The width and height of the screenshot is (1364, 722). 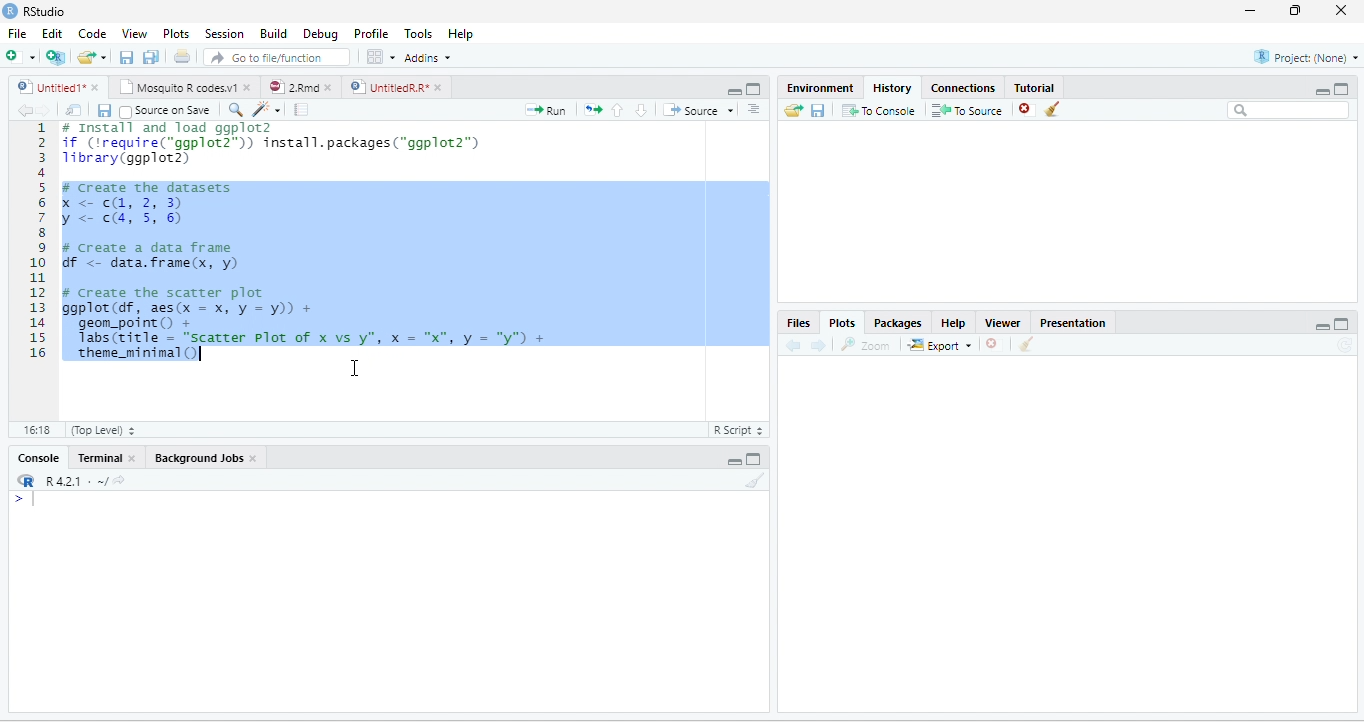 What do you see at coordinates (1322, 326) in the screenshot?
I see `Minimize` at bounding box center [1322, 326].